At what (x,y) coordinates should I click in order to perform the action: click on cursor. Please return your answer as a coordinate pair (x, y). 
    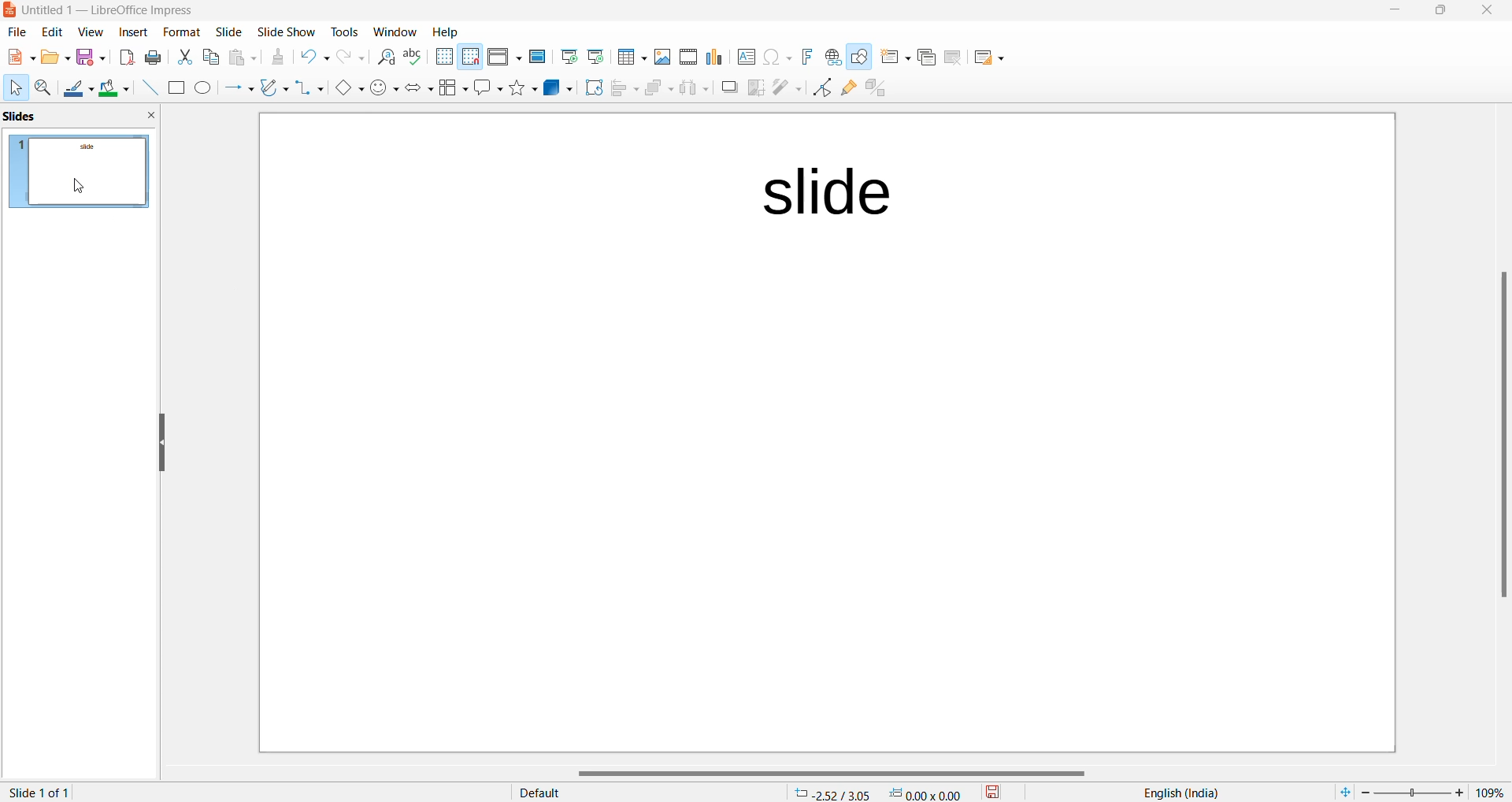
    Looking at the image, I should click on (15, 88).